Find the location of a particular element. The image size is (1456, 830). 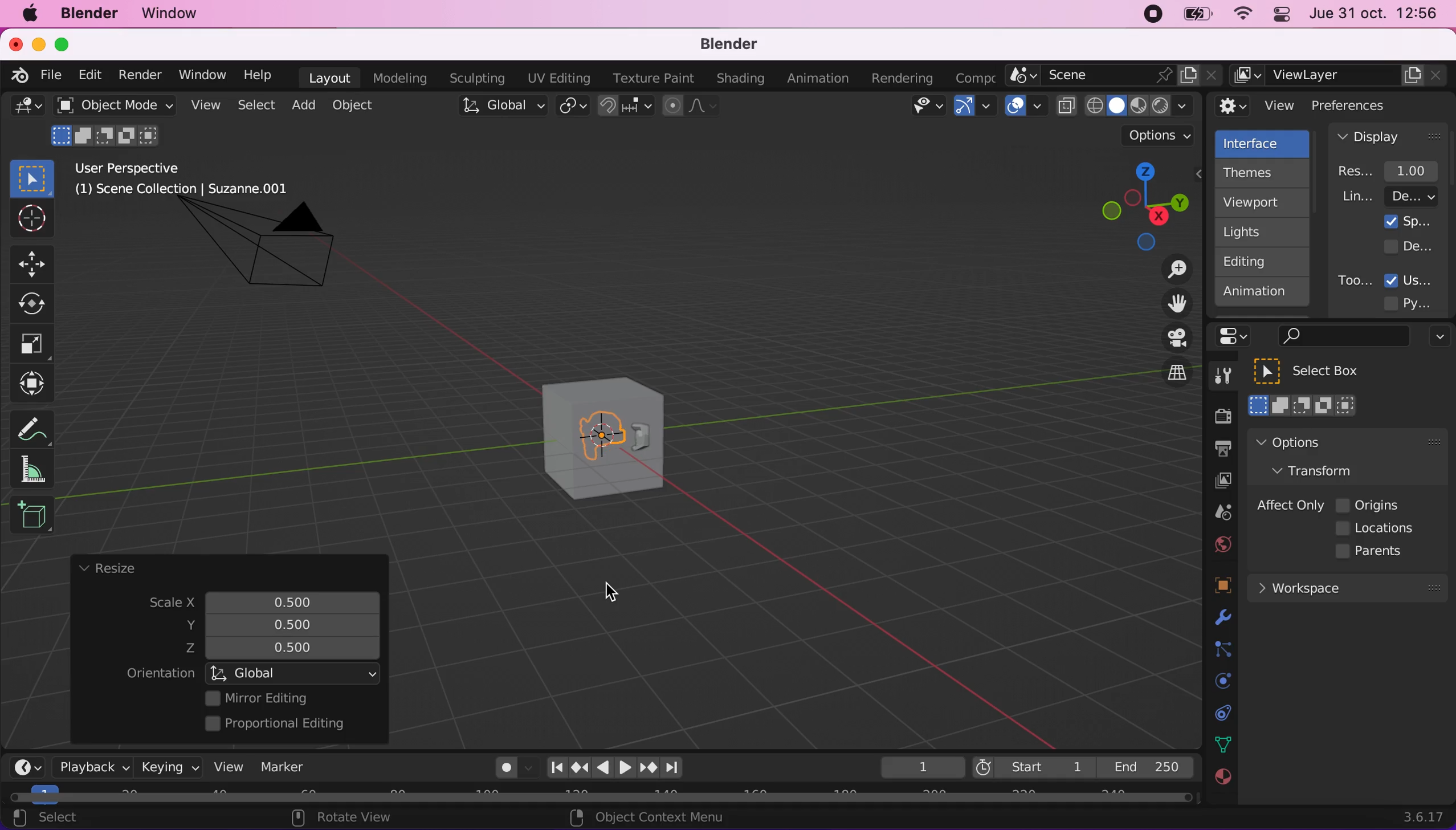

object context menu is located at coordinates (651, 817).